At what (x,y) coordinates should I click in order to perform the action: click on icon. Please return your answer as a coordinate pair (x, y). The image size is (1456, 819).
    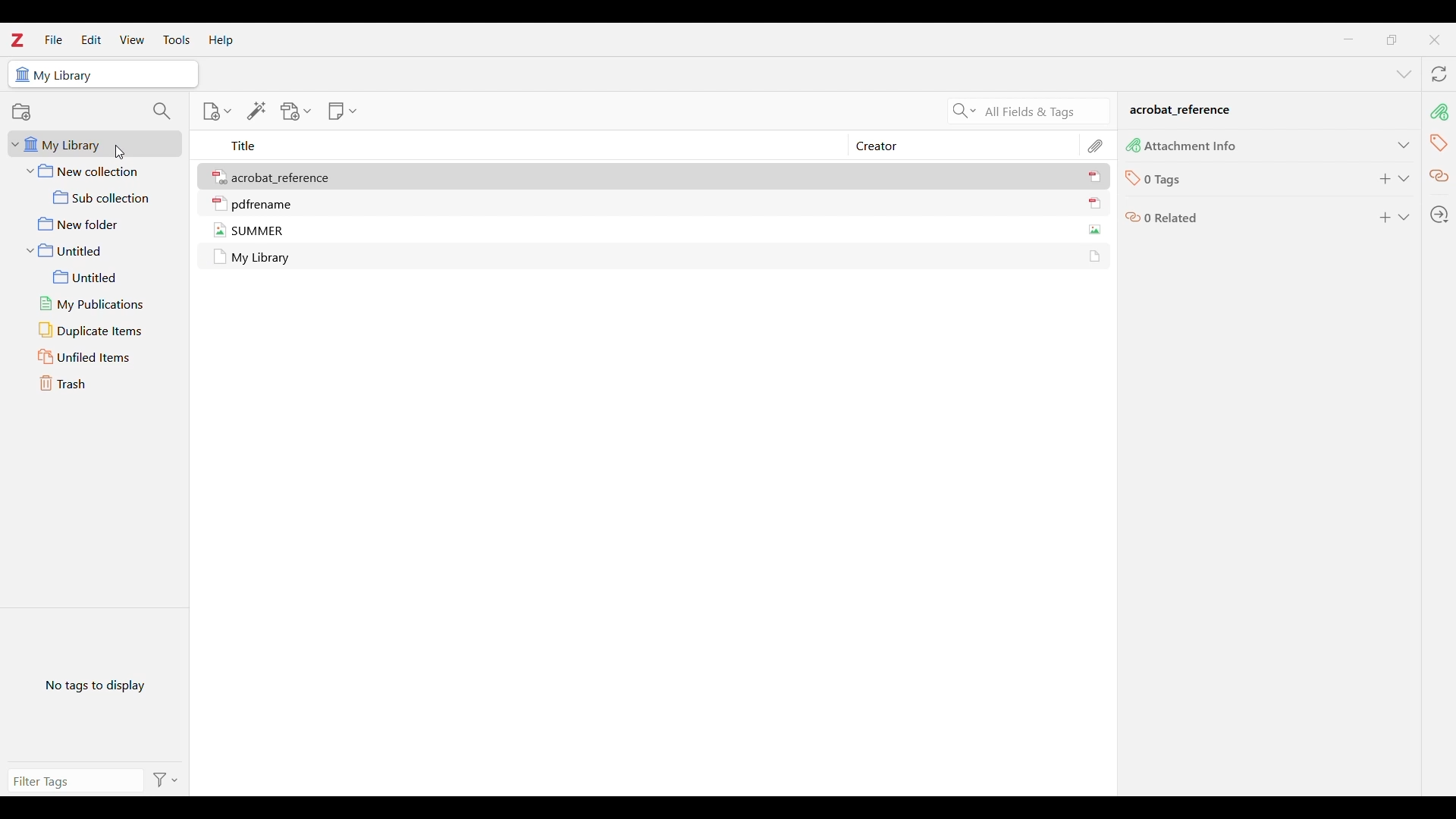
    Looking at the image, I should click on (220, 178).